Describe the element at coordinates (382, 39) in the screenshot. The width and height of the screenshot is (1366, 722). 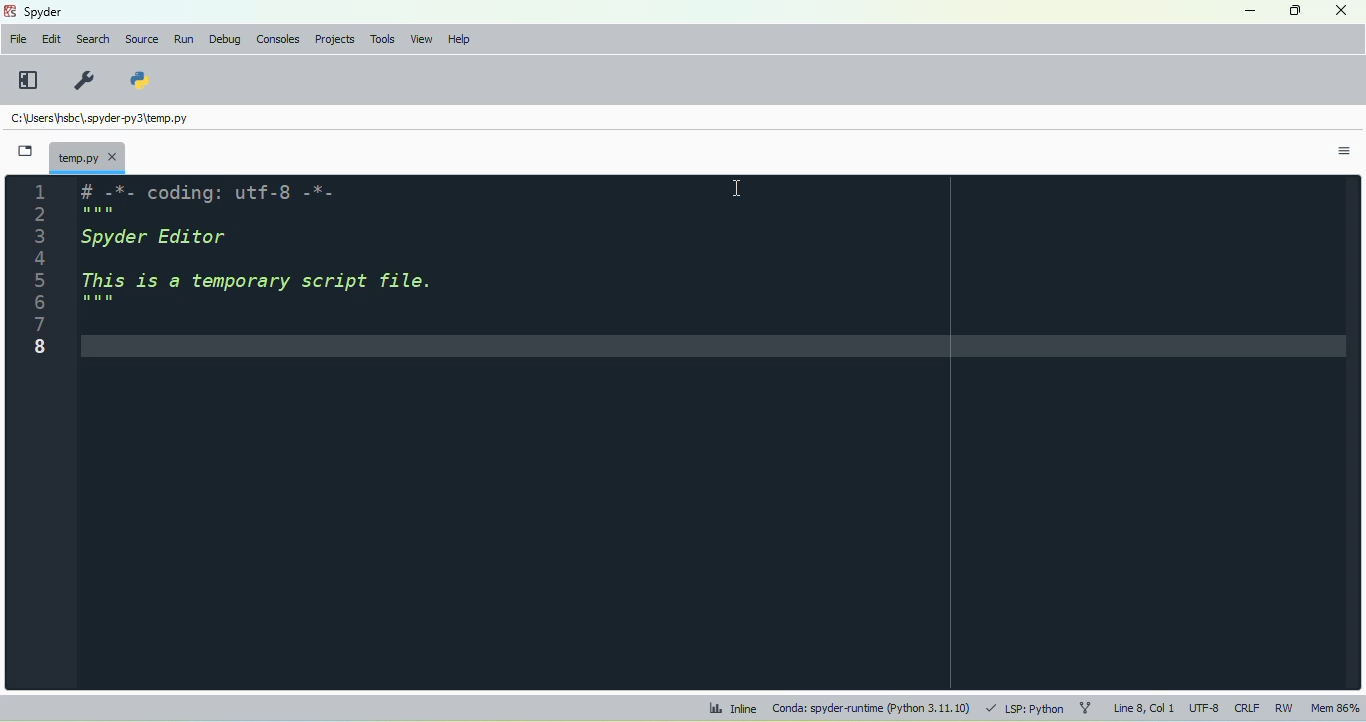
I see `tools` at that location.